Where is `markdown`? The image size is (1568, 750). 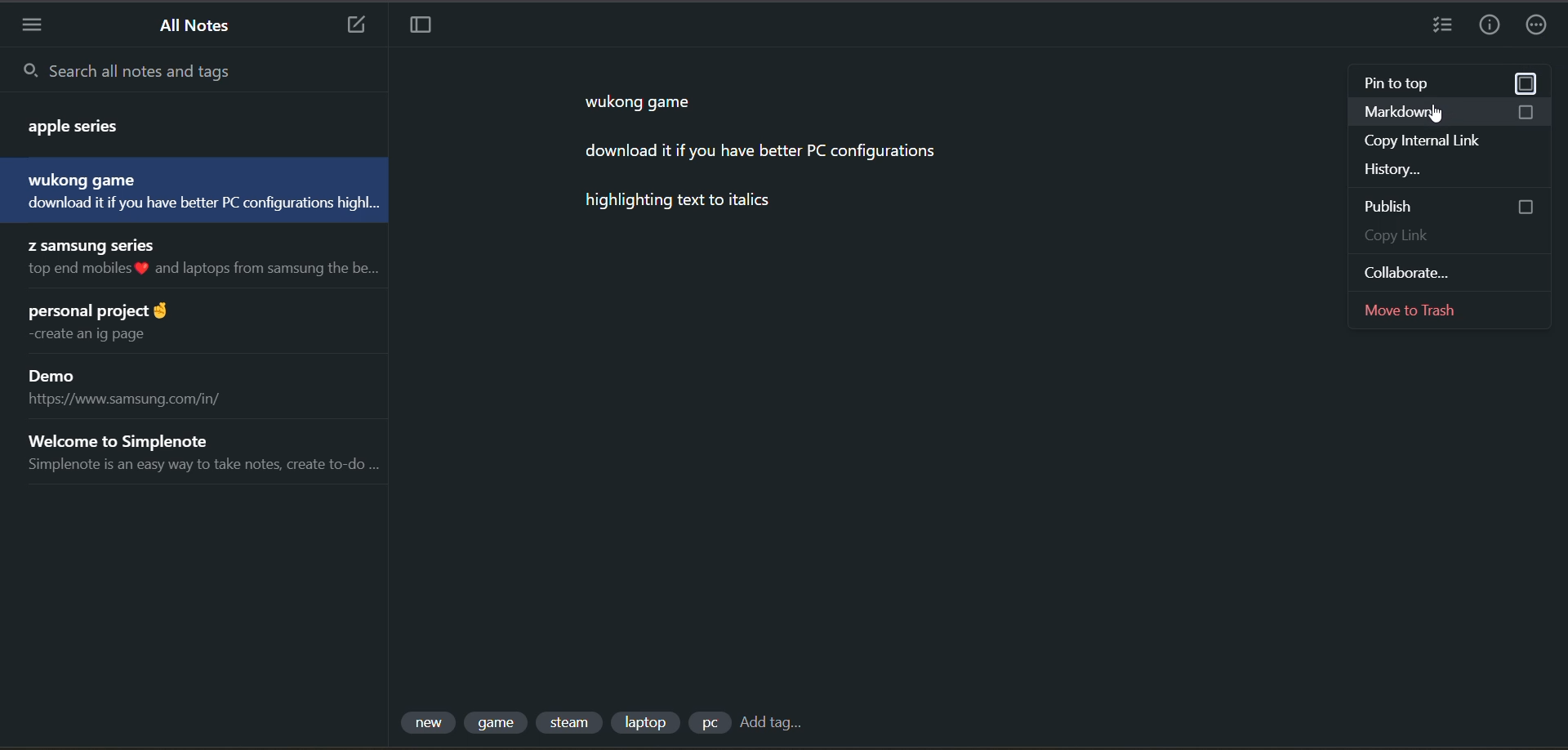 markdown is located at coordinates (1453, 115).